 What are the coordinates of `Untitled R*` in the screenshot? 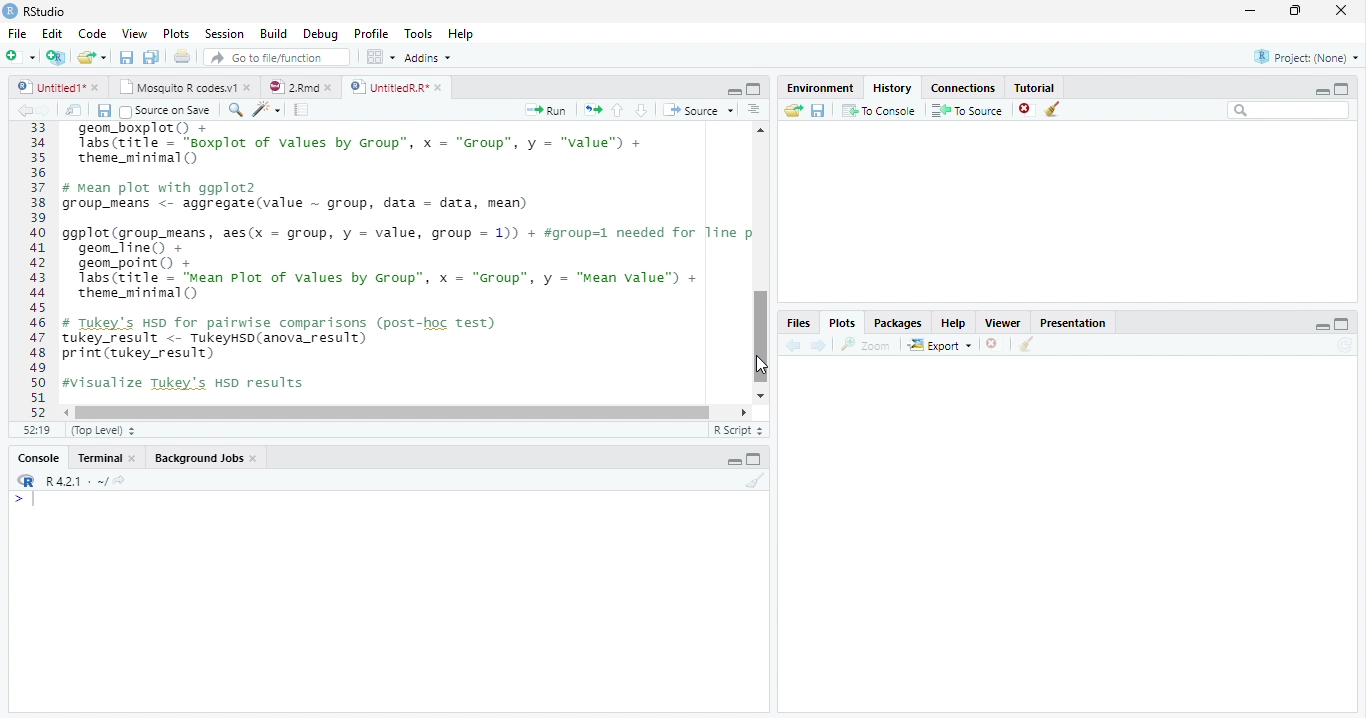 It's located at (396, 87).